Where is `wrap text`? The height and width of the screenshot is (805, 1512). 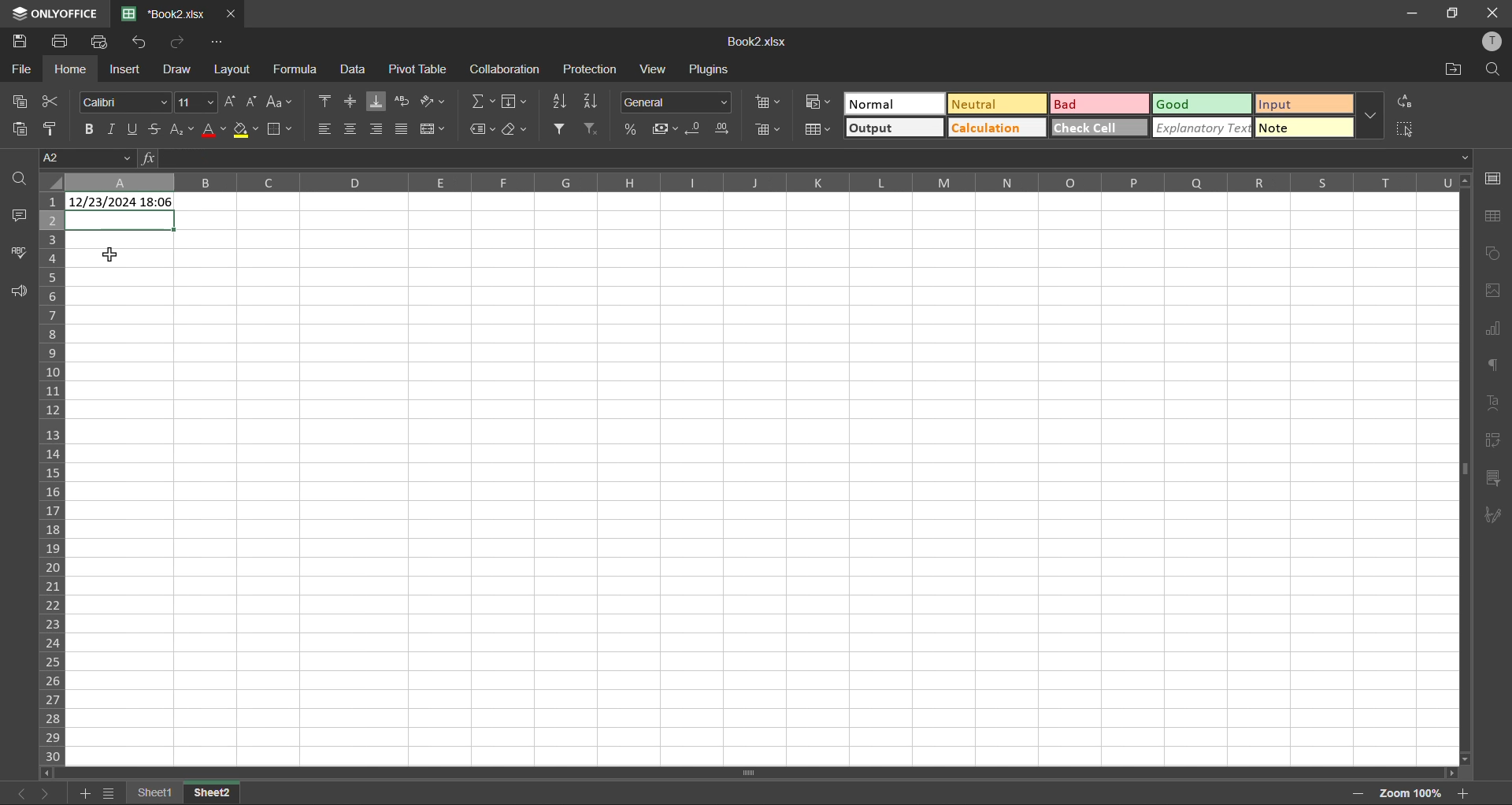
wrap text is located at coordinates (402, 102).